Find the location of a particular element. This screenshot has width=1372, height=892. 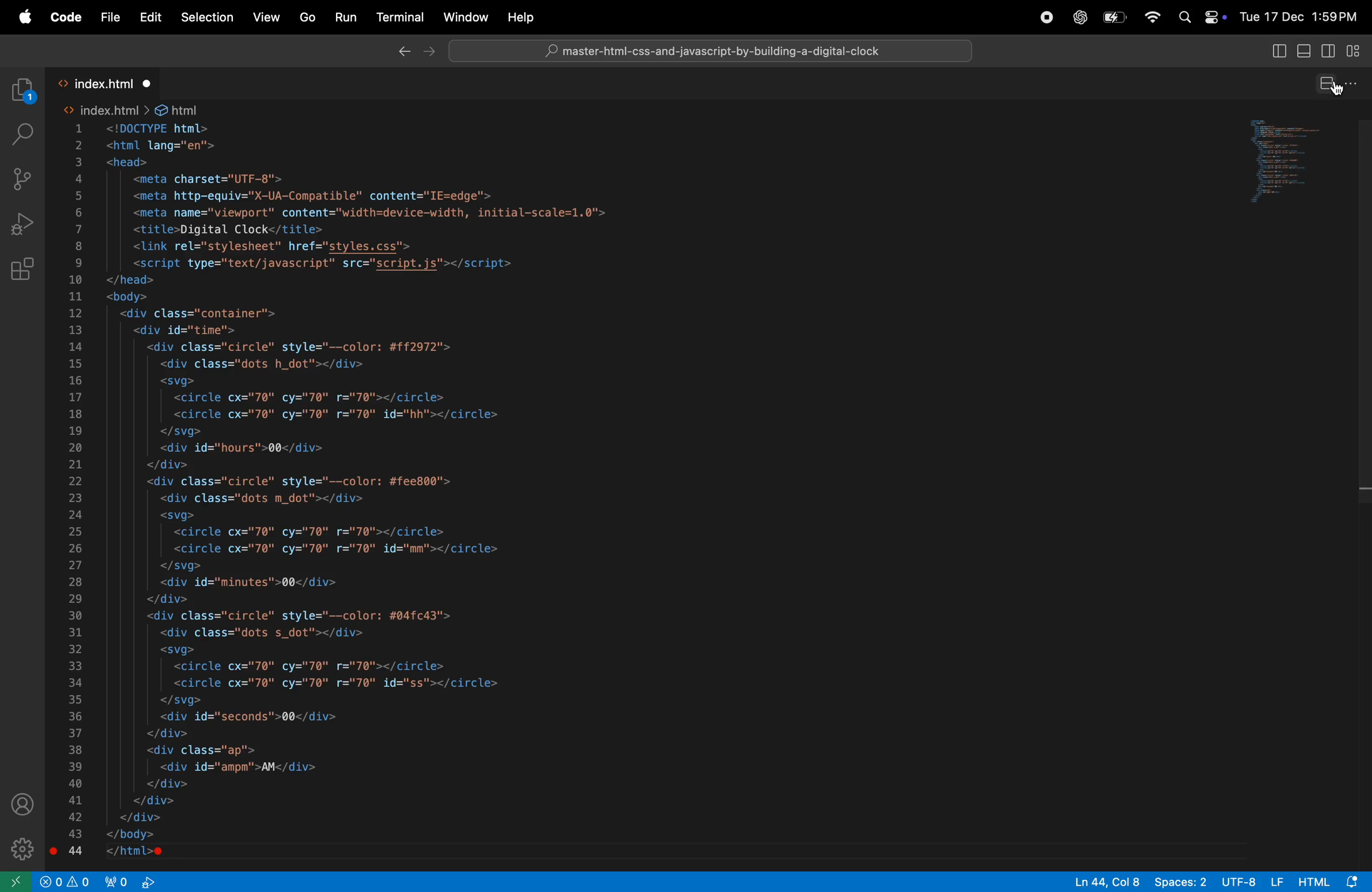

Go is located at coordinates (307, 16).